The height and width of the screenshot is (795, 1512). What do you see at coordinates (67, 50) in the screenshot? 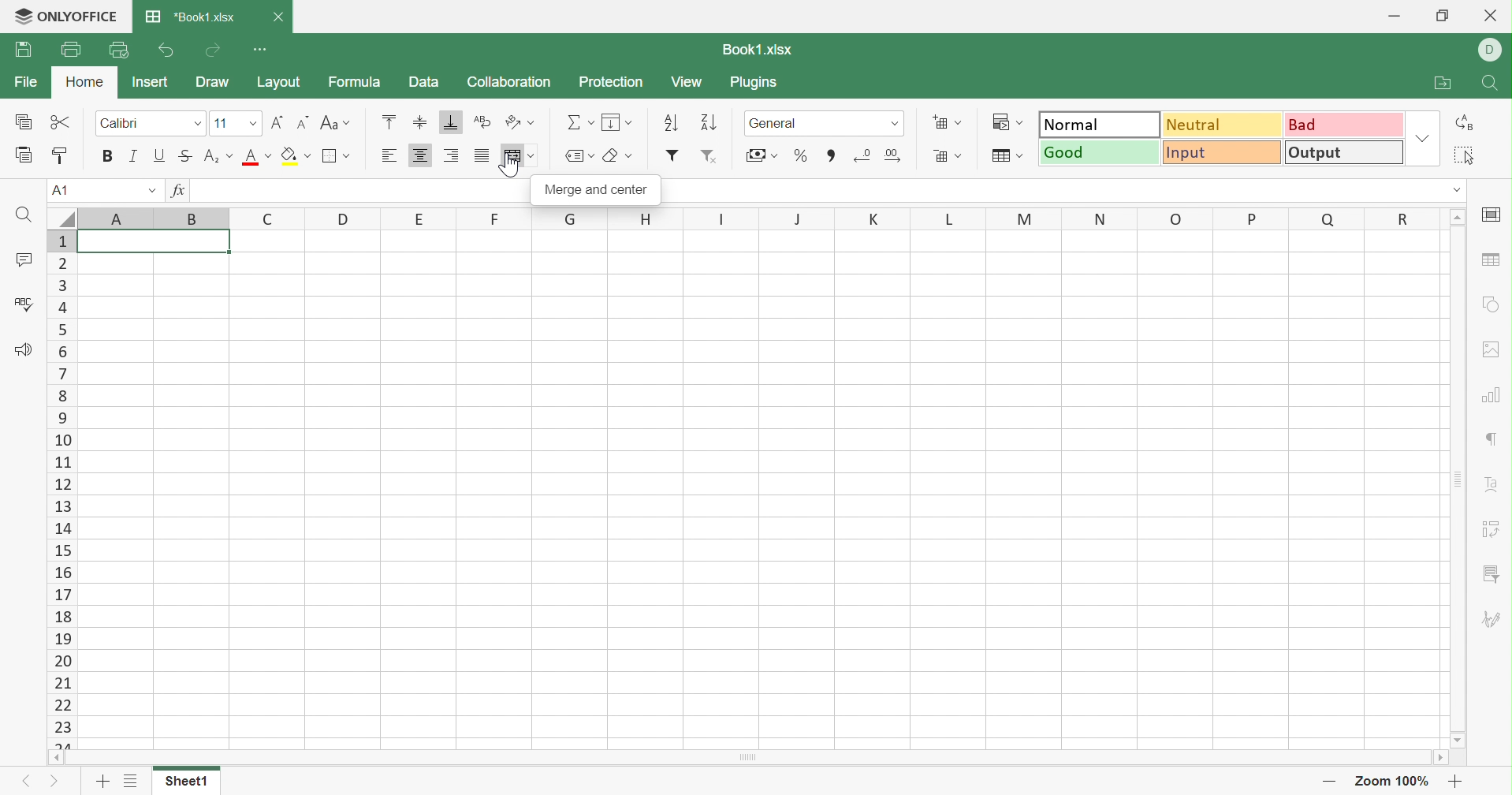
I see `Print` at bounding box center [67, 50].